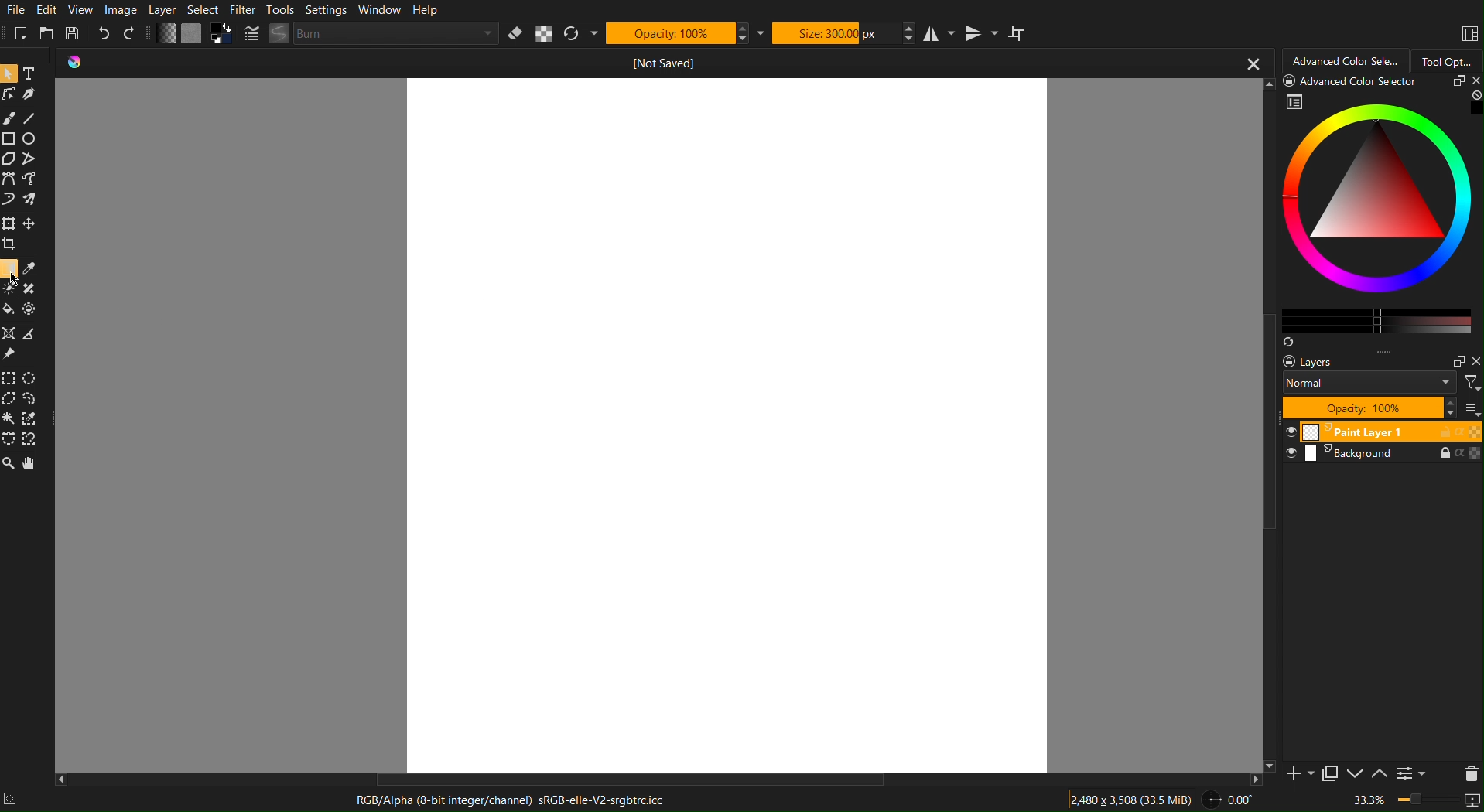  What do you see at coordinates (32, 94) in the screenshot?
I see `Pen` at bounding box center [32, 94].